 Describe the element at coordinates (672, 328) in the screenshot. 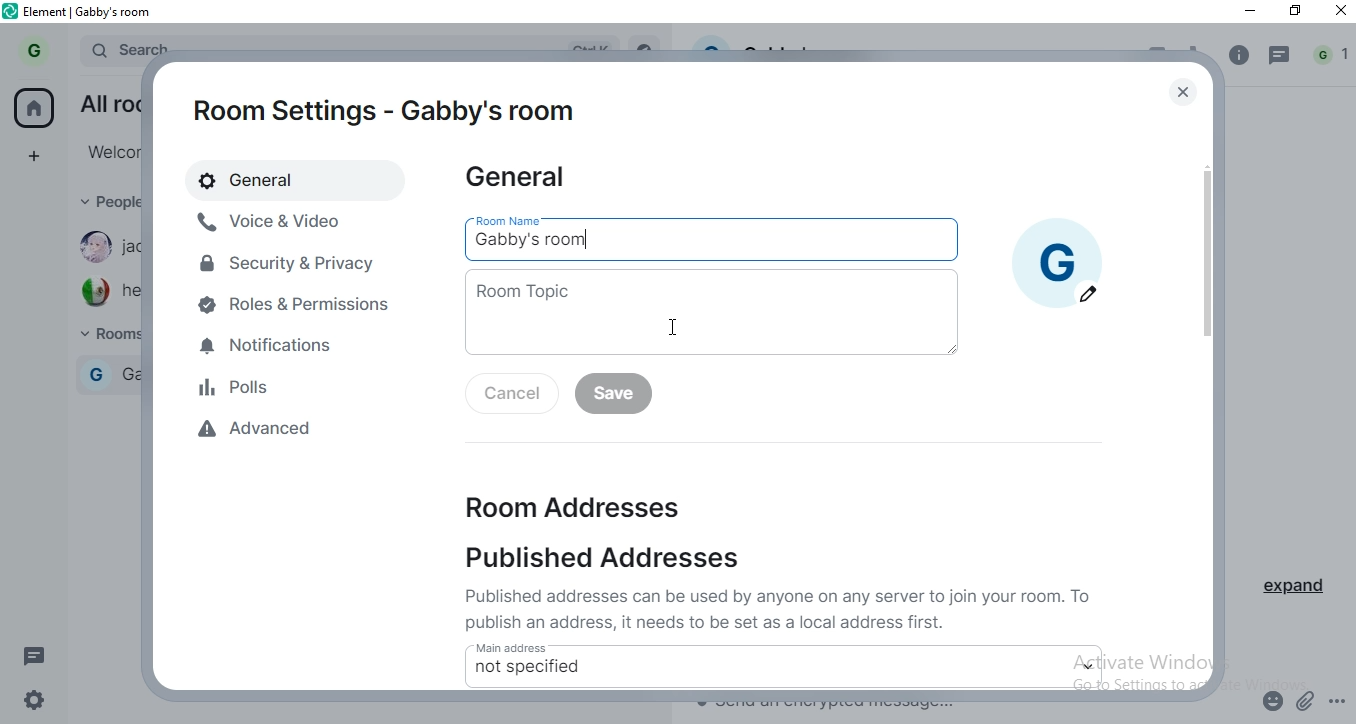

I see `text cursor` at that location.